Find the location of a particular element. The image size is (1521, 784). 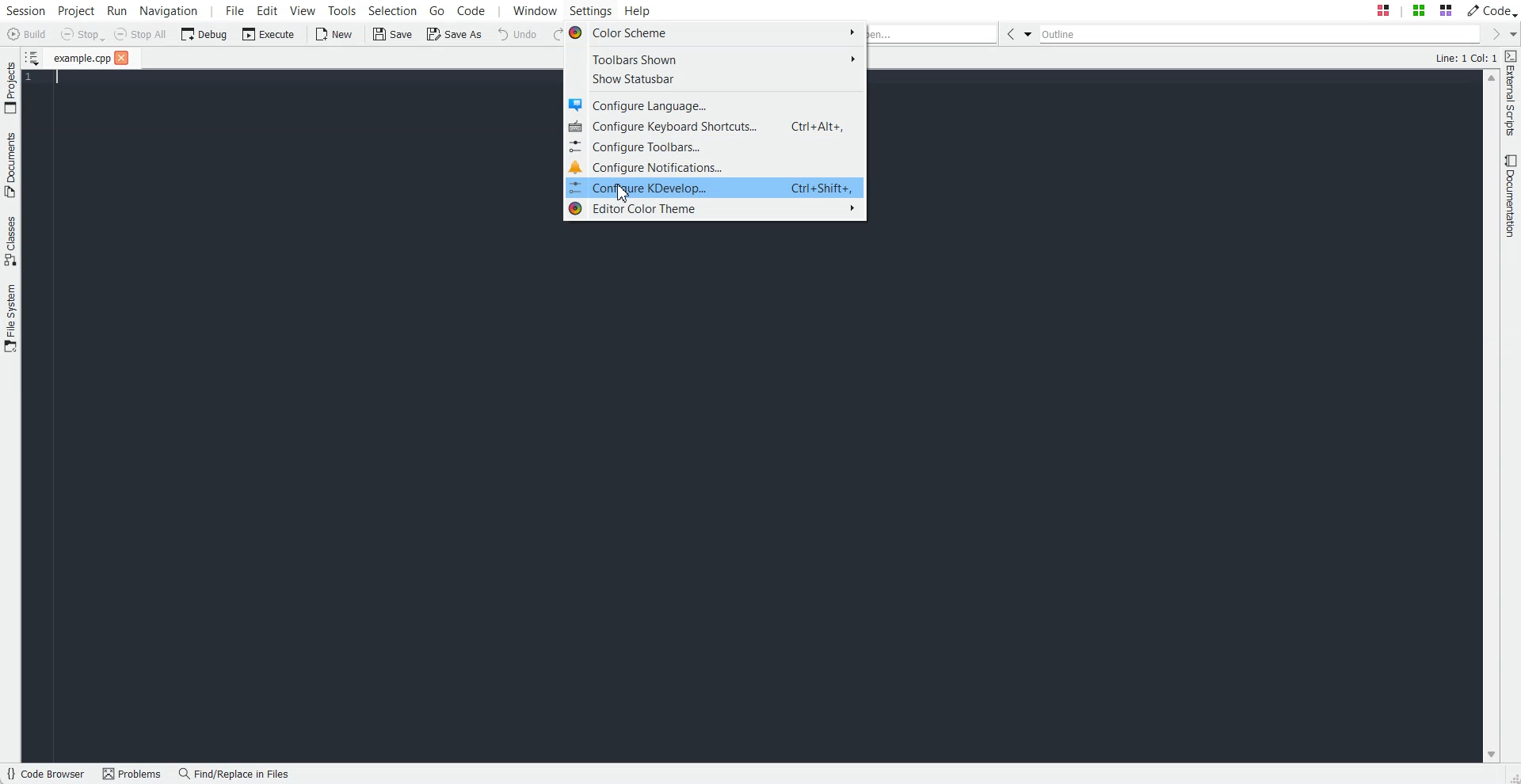

Session is located at coordinates (25, 10).